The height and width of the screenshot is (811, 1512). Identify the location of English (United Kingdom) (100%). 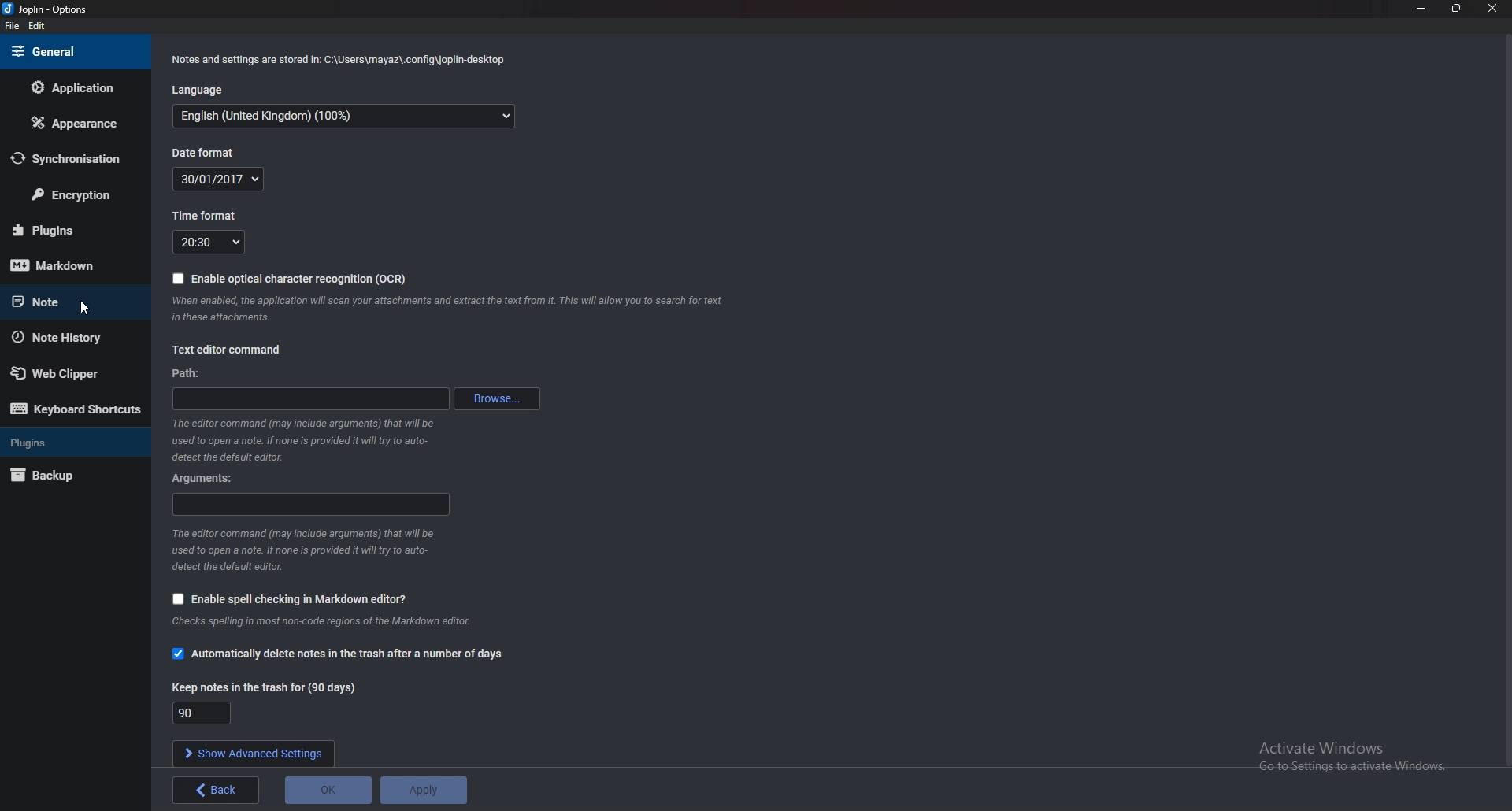
(343, 117).